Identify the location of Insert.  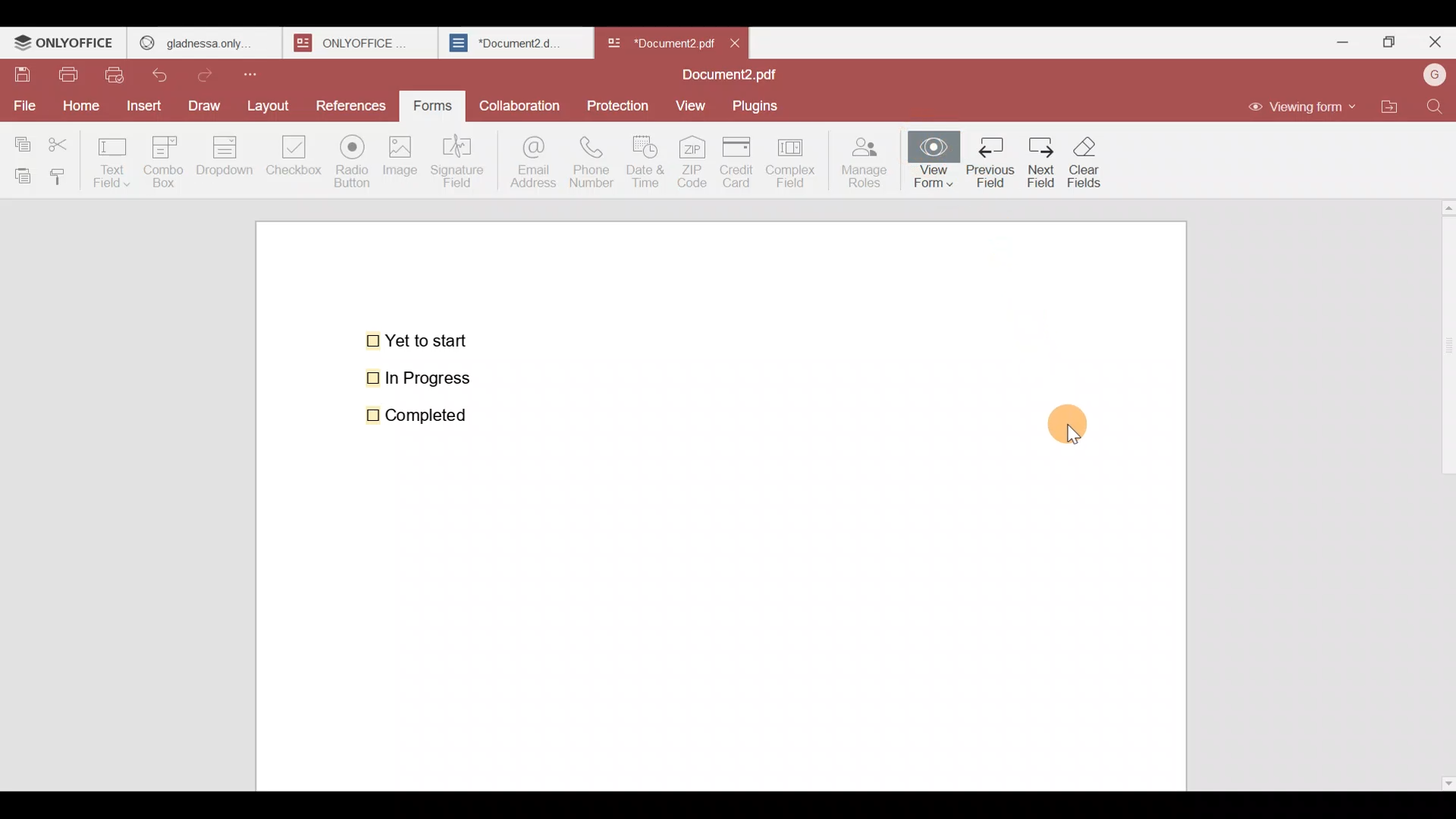
(142, 105).